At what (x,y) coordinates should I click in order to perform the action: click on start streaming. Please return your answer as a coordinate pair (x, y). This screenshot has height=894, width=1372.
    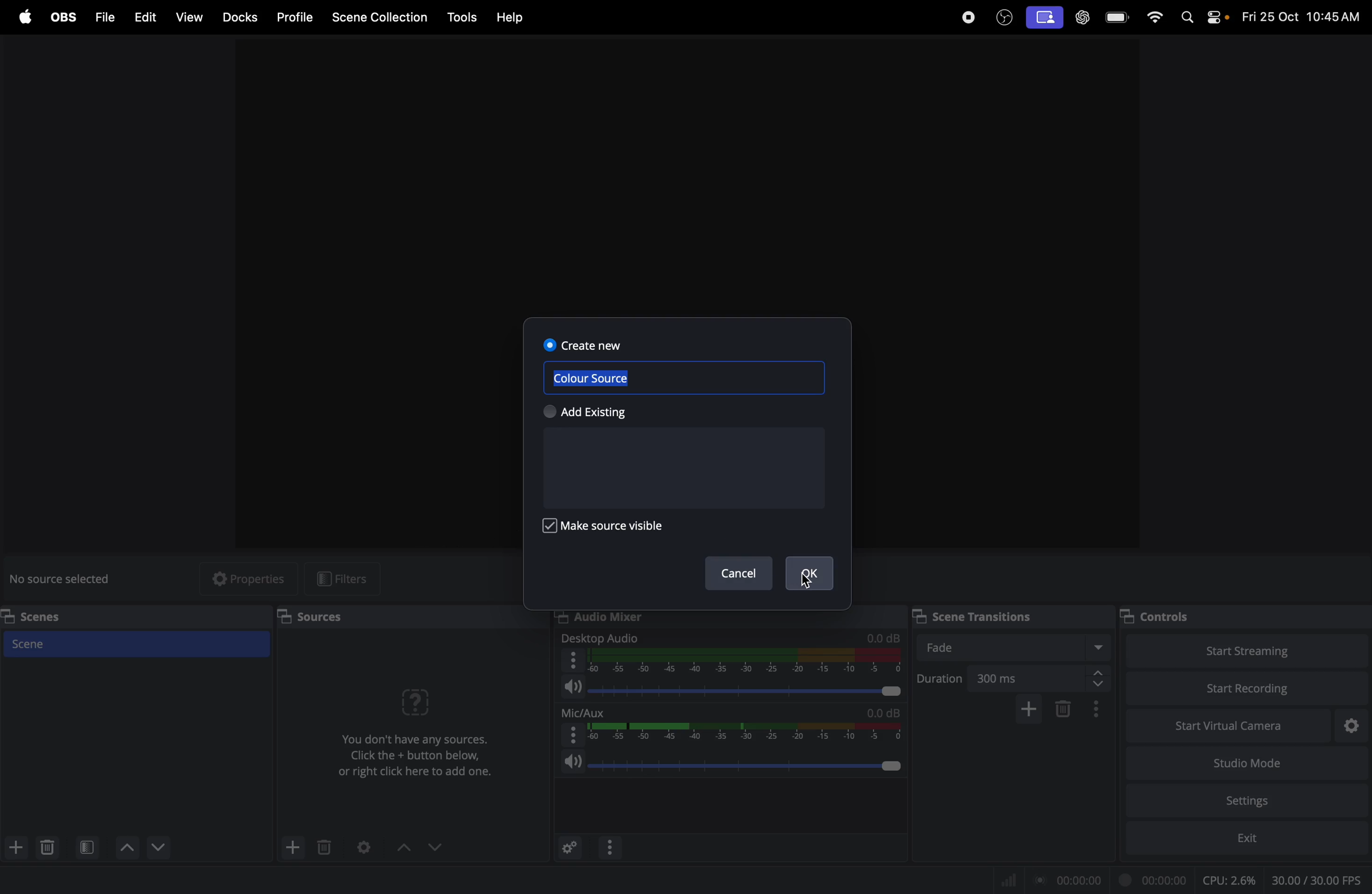
    Looking at the image, I should click on (1241, 652).